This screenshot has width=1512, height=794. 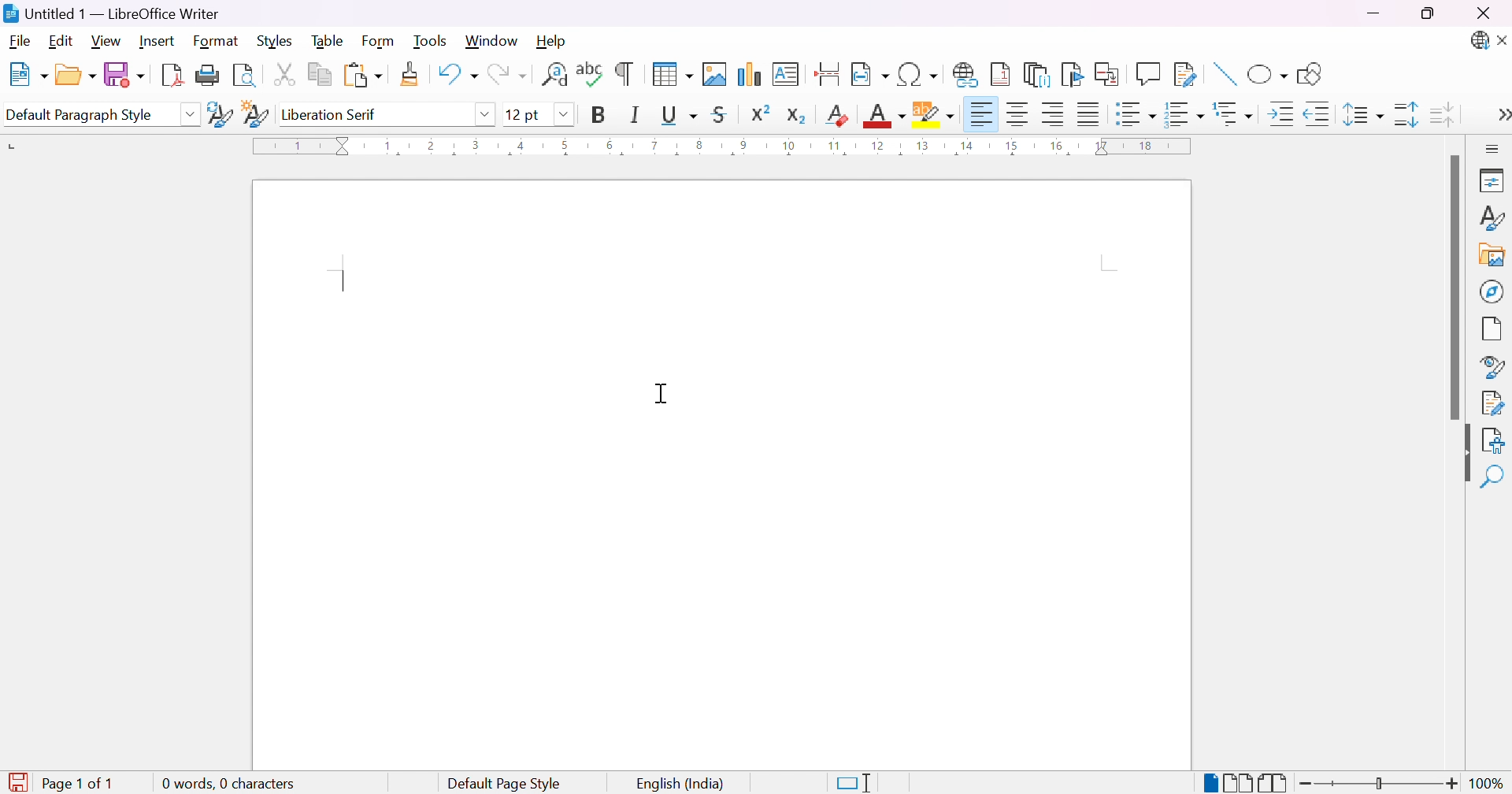 I want to click on Insert cross-reference, so click(x=1110, y=72).